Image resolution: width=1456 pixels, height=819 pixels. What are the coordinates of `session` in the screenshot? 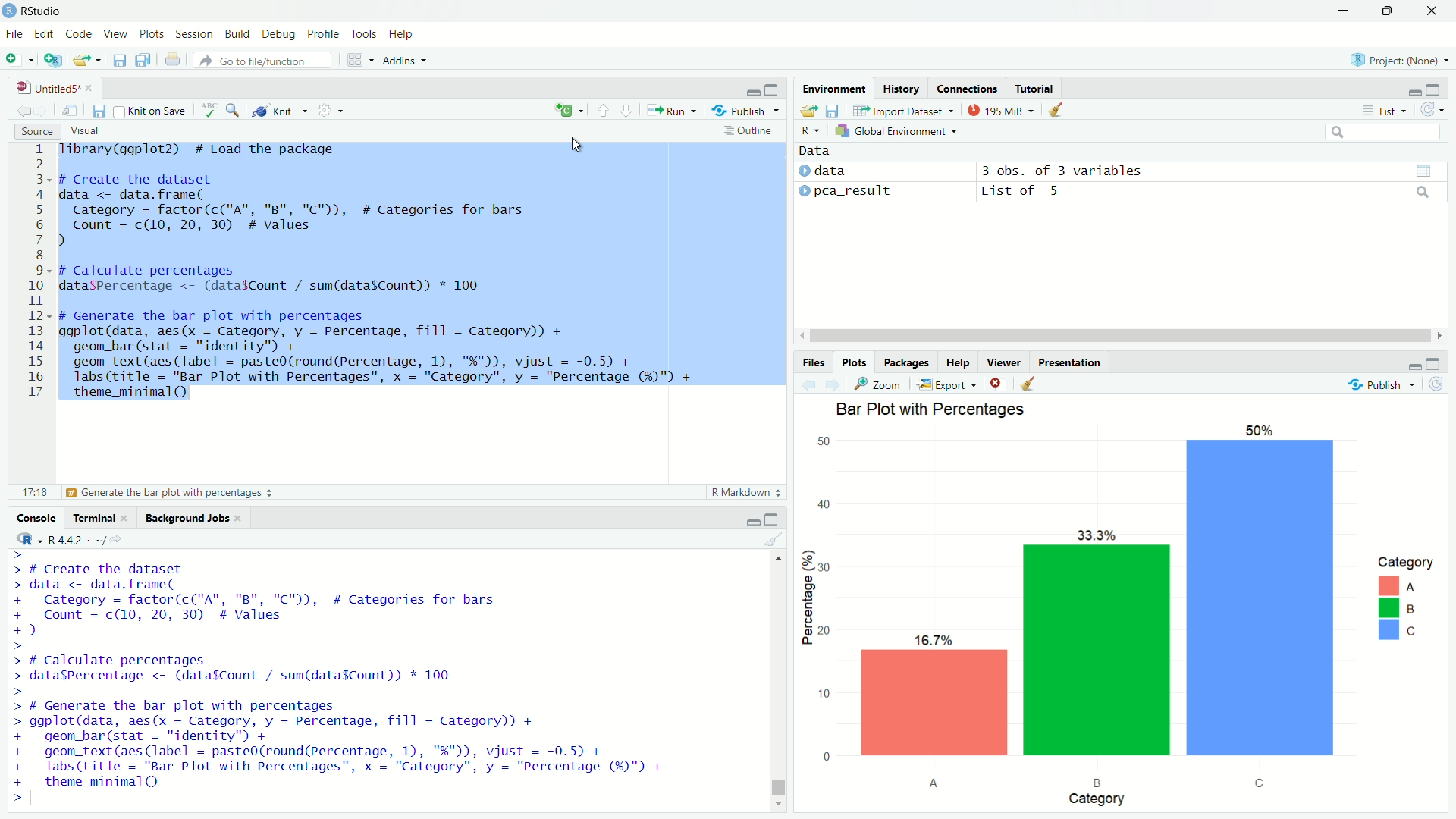 It's located at (197, 36).